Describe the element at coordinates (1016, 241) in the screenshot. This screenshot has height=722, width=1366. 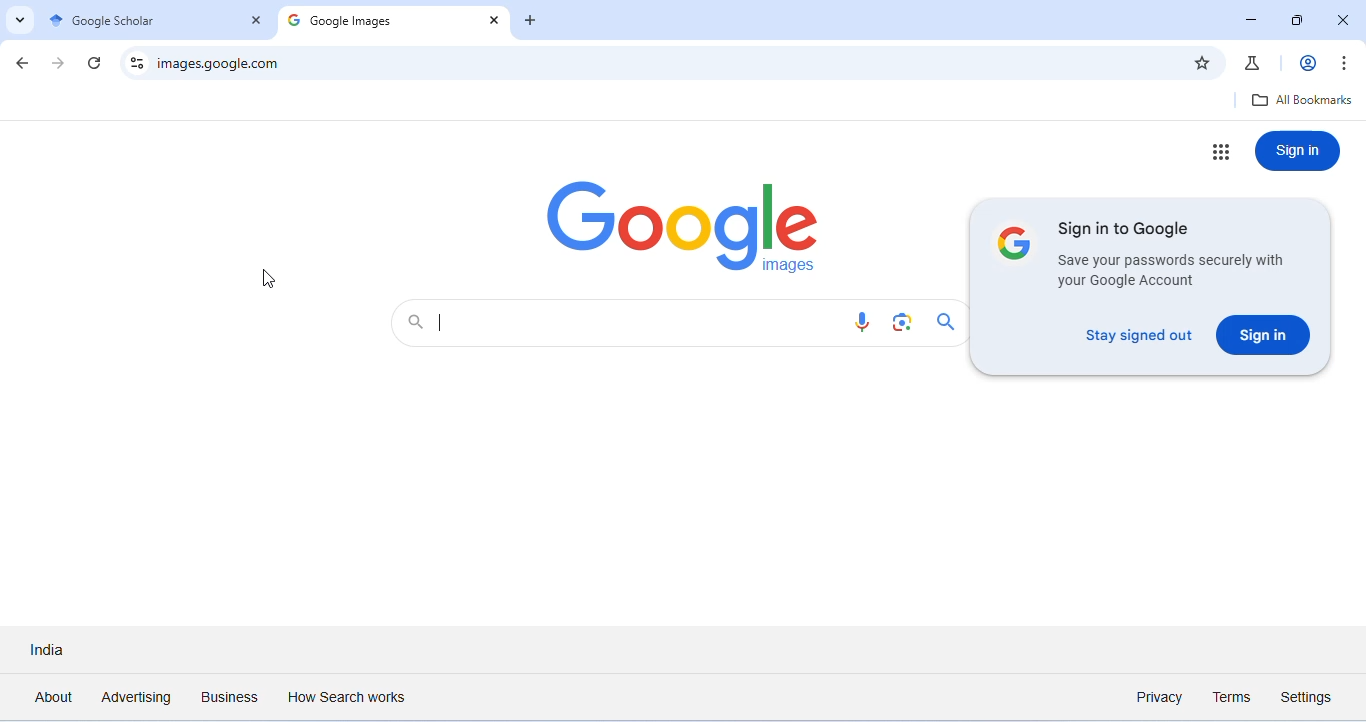
I see `google logo` at that location.